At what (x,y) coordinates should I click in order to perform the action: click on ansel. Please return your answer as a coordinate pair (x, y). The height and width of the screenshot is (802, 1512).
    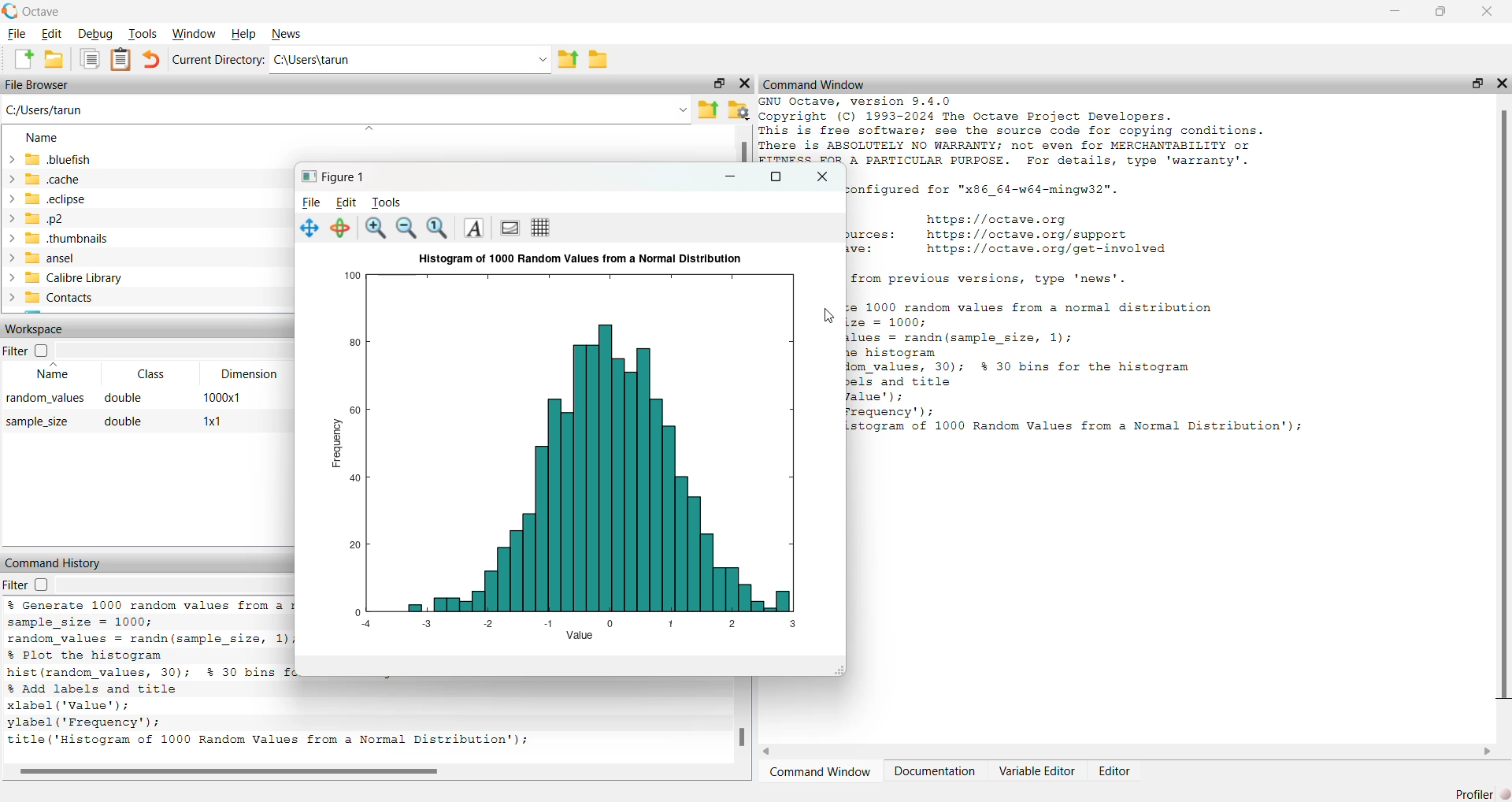
    Looking at the image, I should click on (39, 257).